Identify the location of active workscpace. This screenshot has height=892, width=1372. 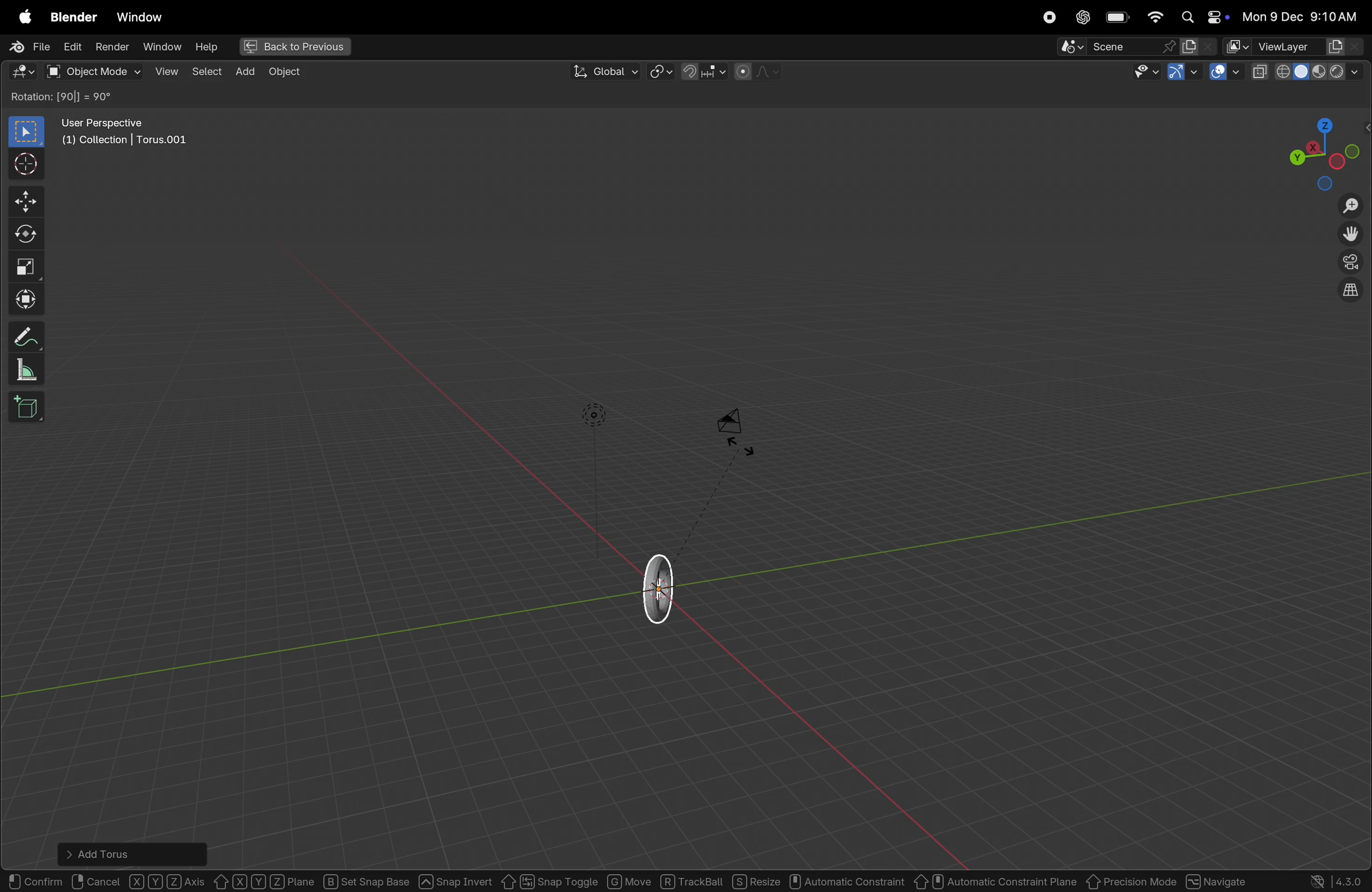
(1238, 46).